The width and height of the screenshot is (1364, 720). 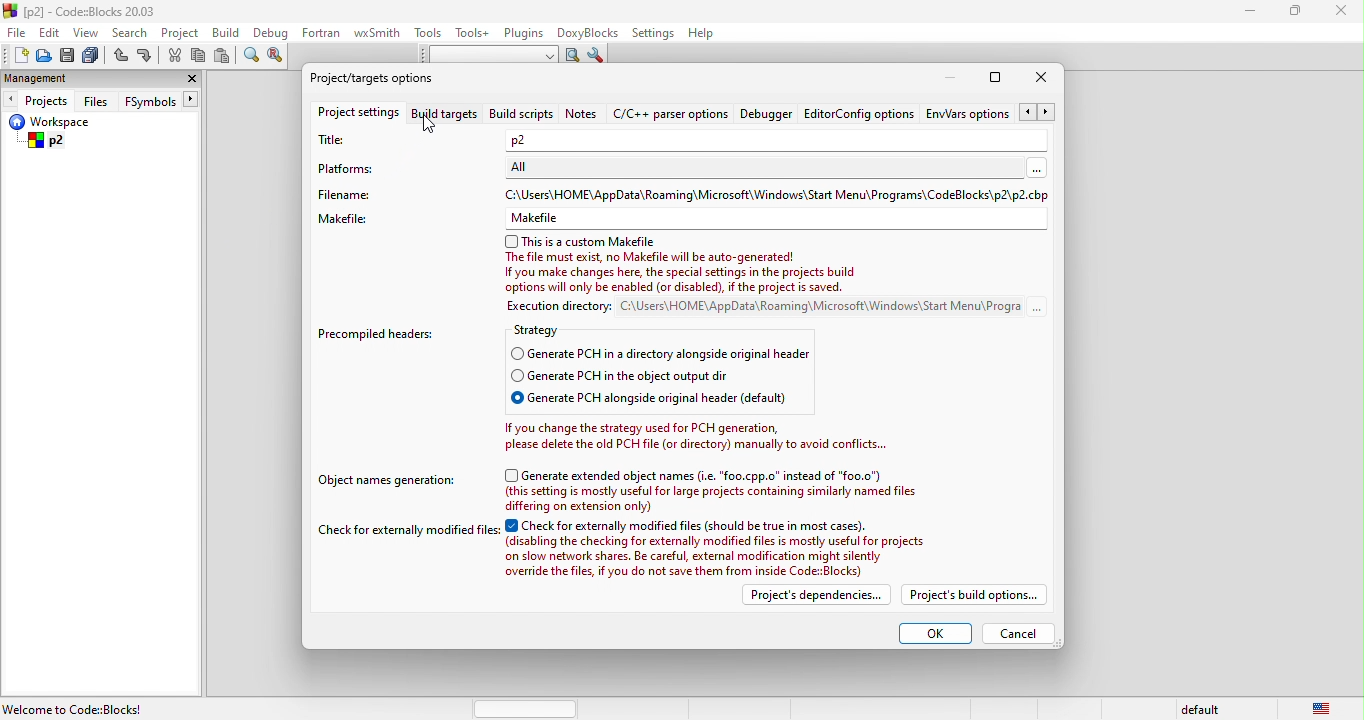 What do you see at coordinates (182, 33) in the screenshot?
I see `project` at bounding box center [182, 33].